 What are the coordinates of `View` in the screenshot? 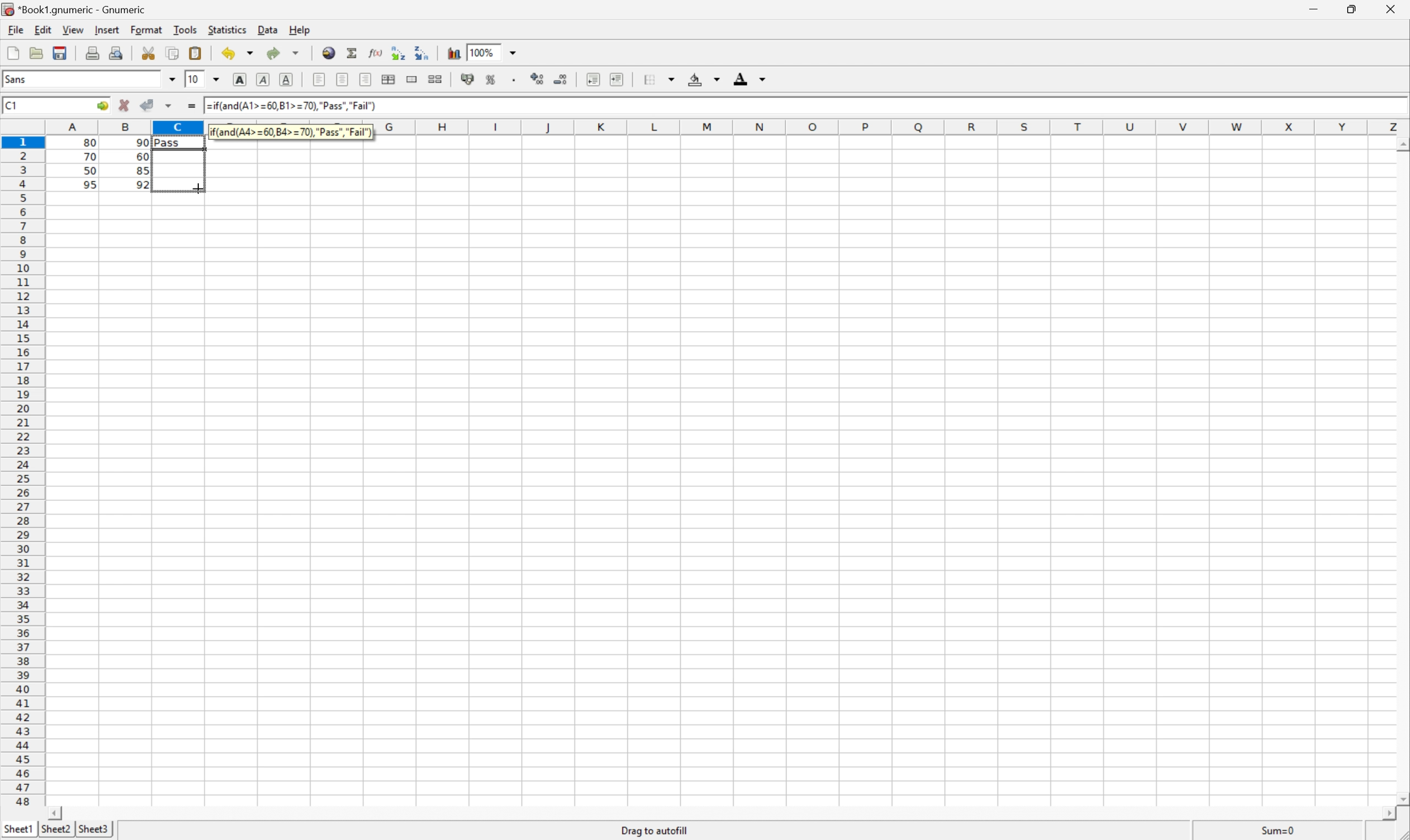 It's located at (74, 29).